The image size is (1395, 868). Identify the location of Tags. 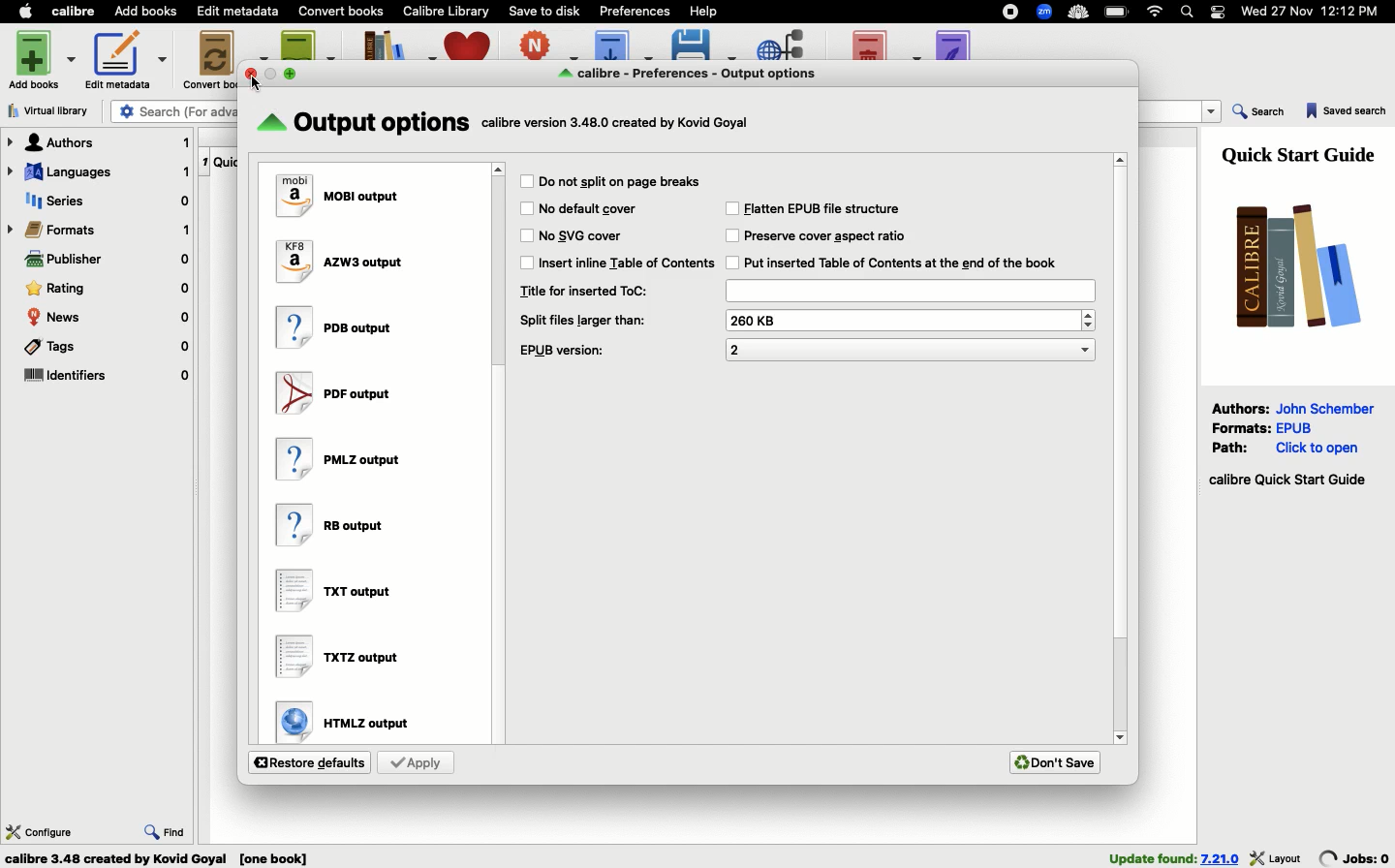
(105, 350).